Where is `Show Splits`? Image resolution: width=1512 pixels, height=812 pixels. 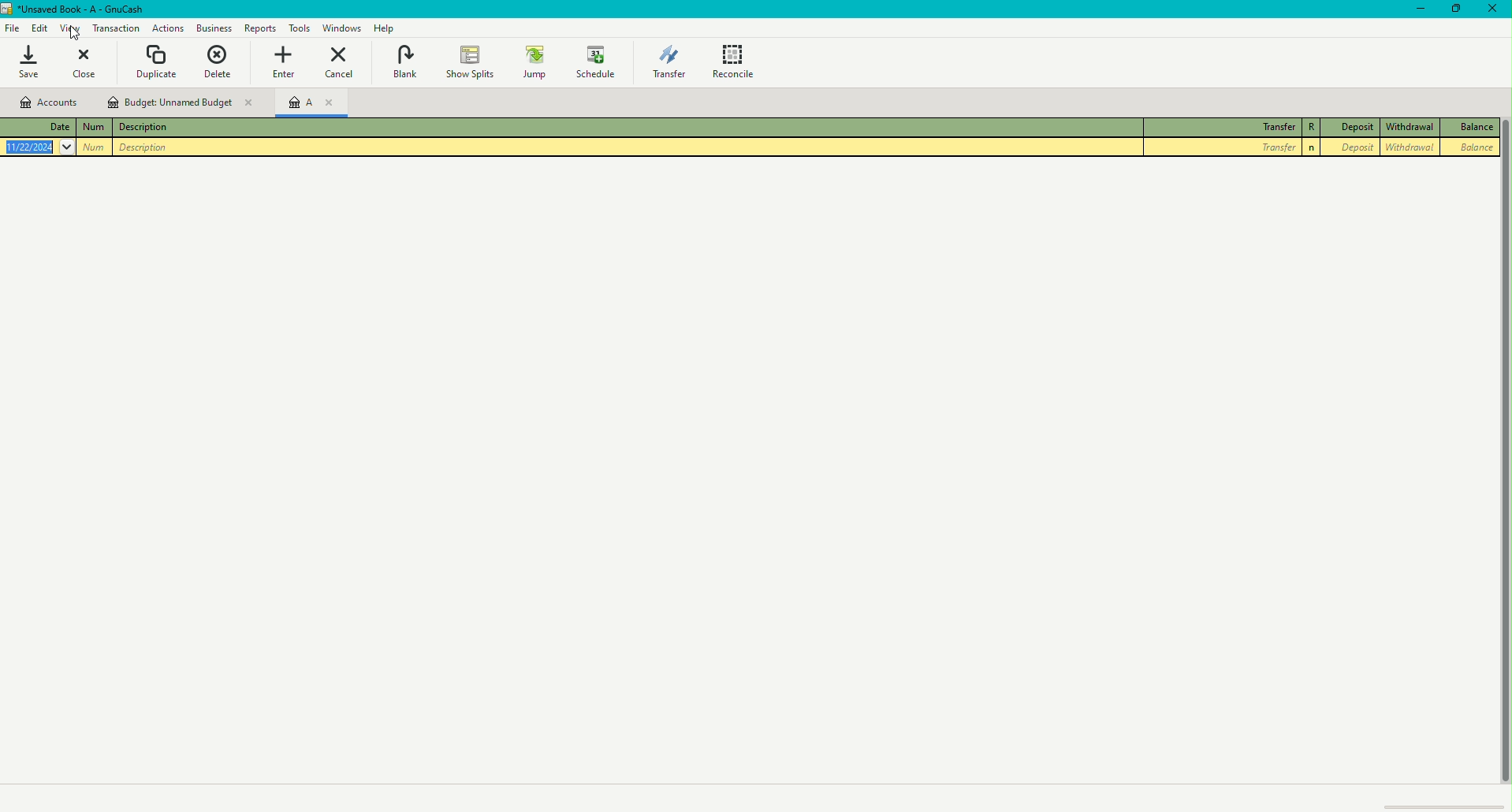 Show Splits is located at coordinates (468, 59).